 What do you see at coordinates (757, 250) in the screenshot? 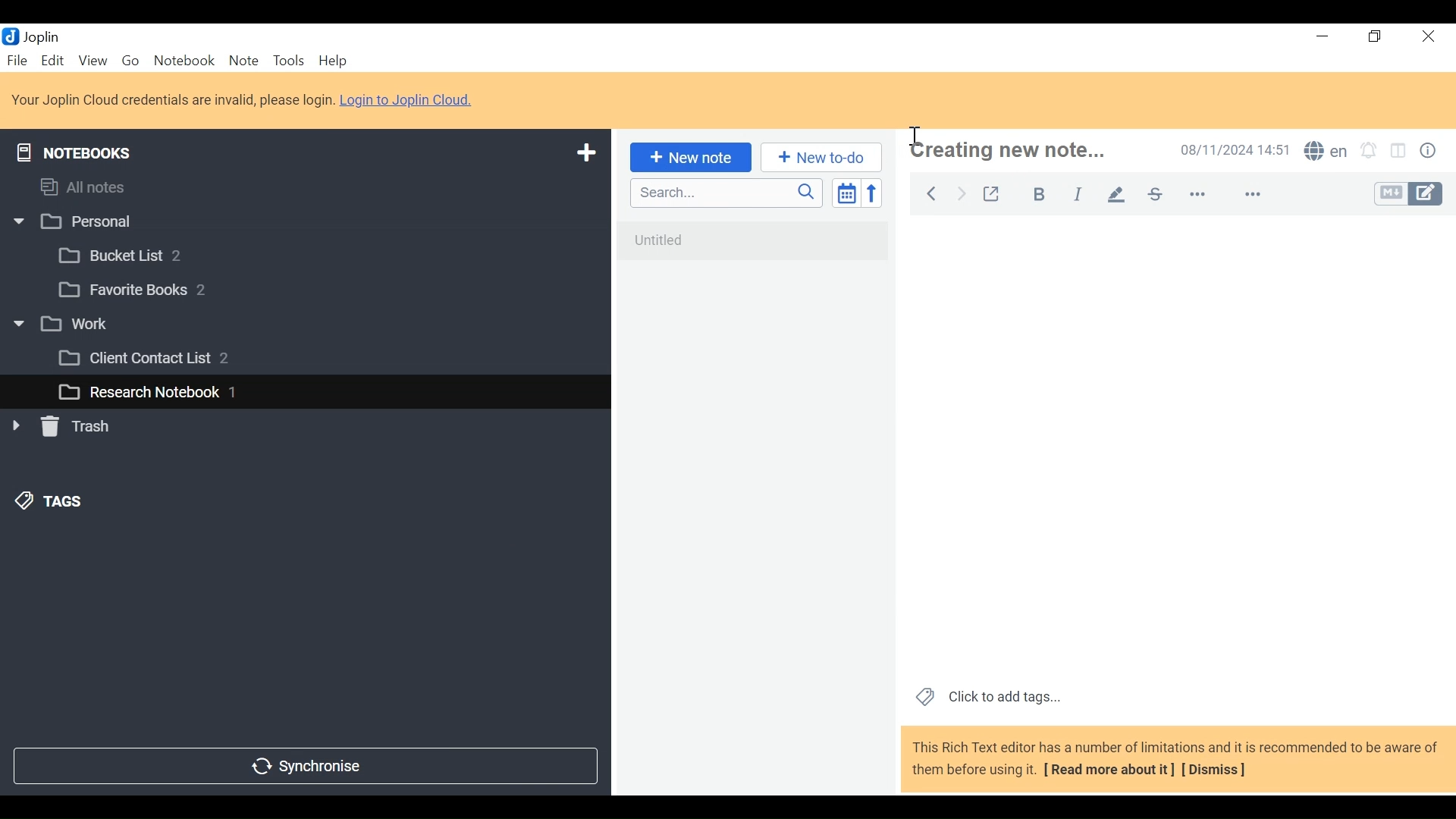
I see `No notes in here. Create one by clicking
on "New note".` at bounding box center [757, 250].